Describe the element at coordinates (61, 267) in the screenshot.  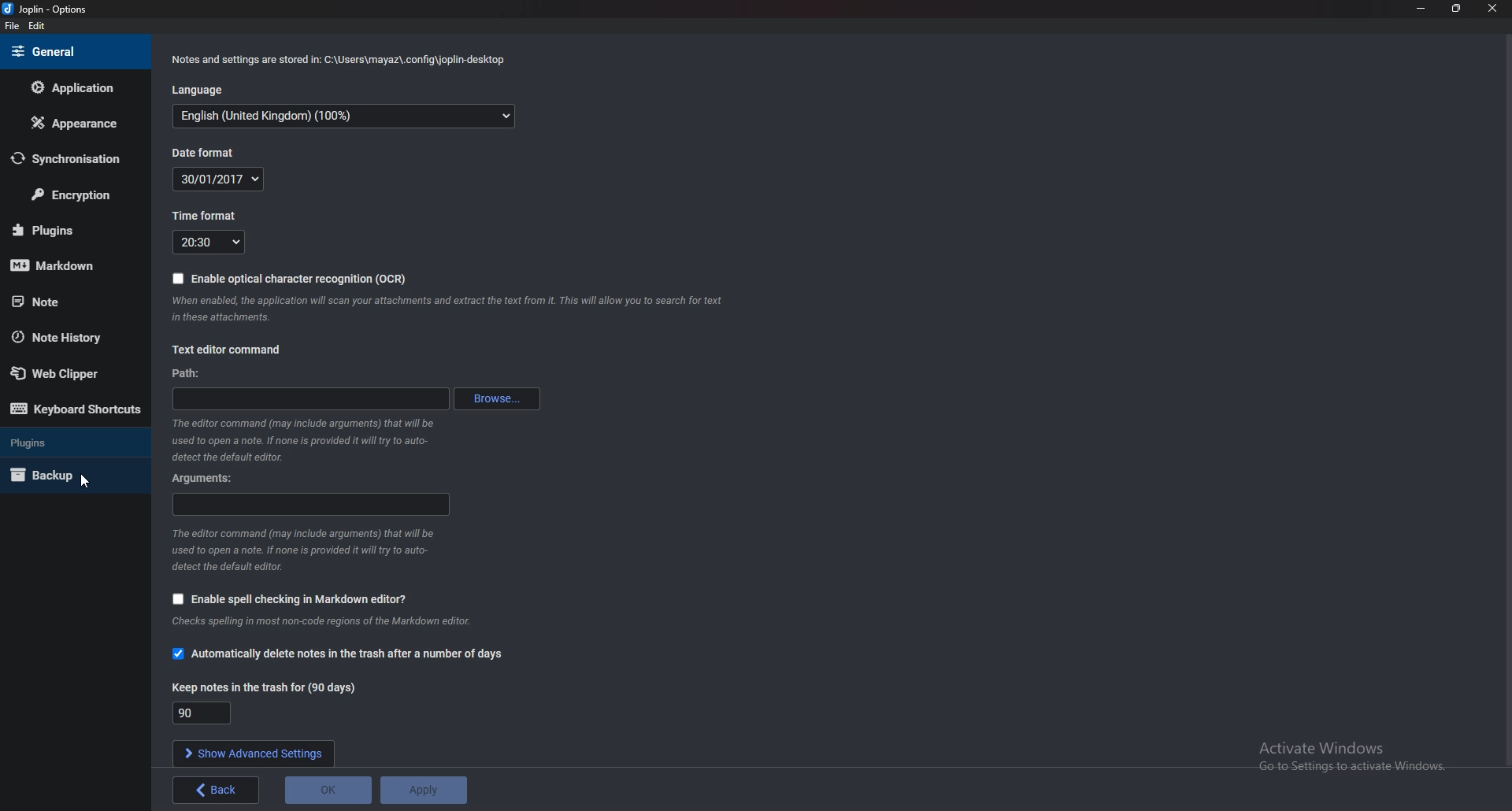
I see `mark down` at that location.